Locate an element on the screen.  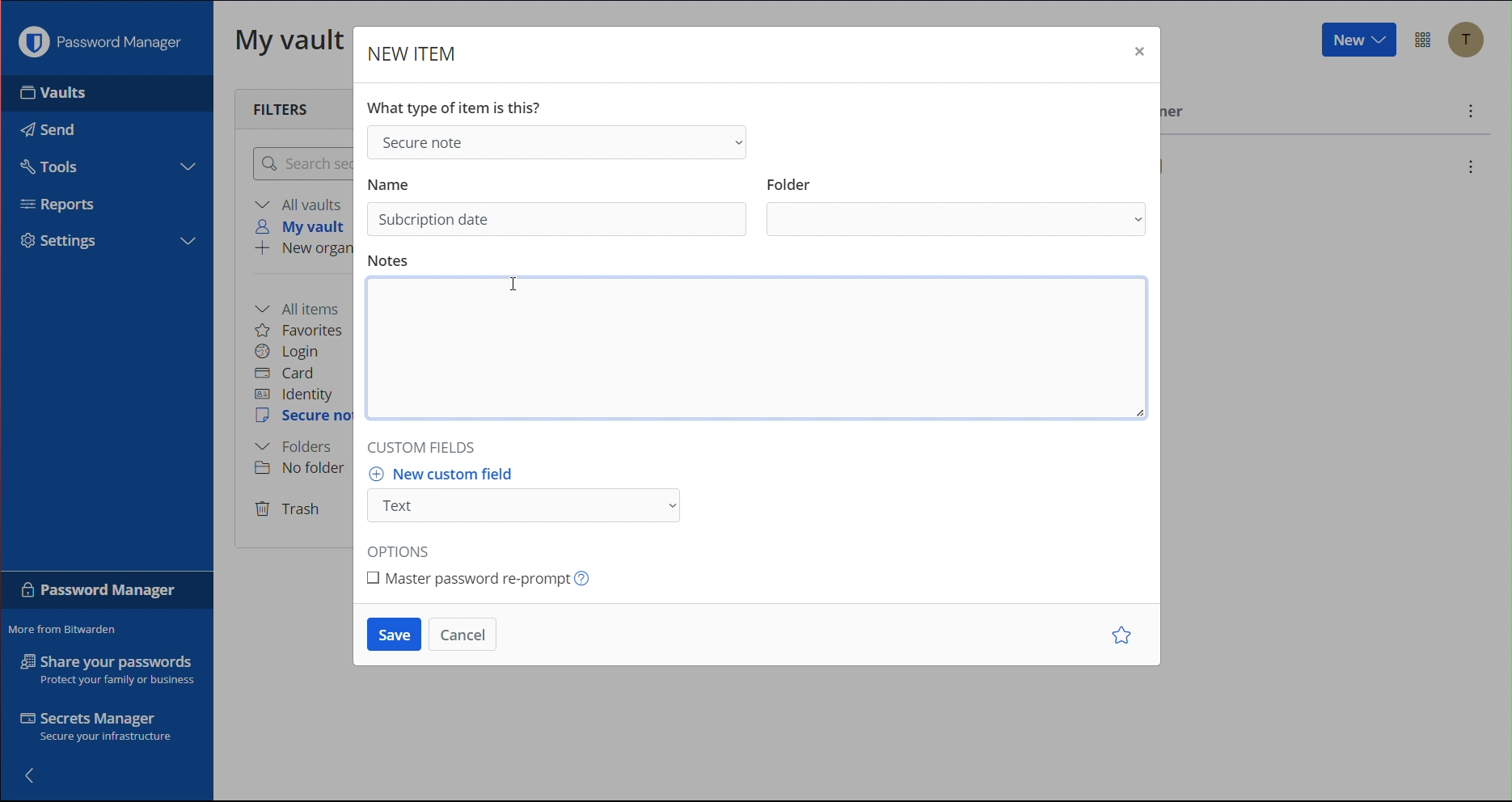
Star is located at coordinates (1125, 636).